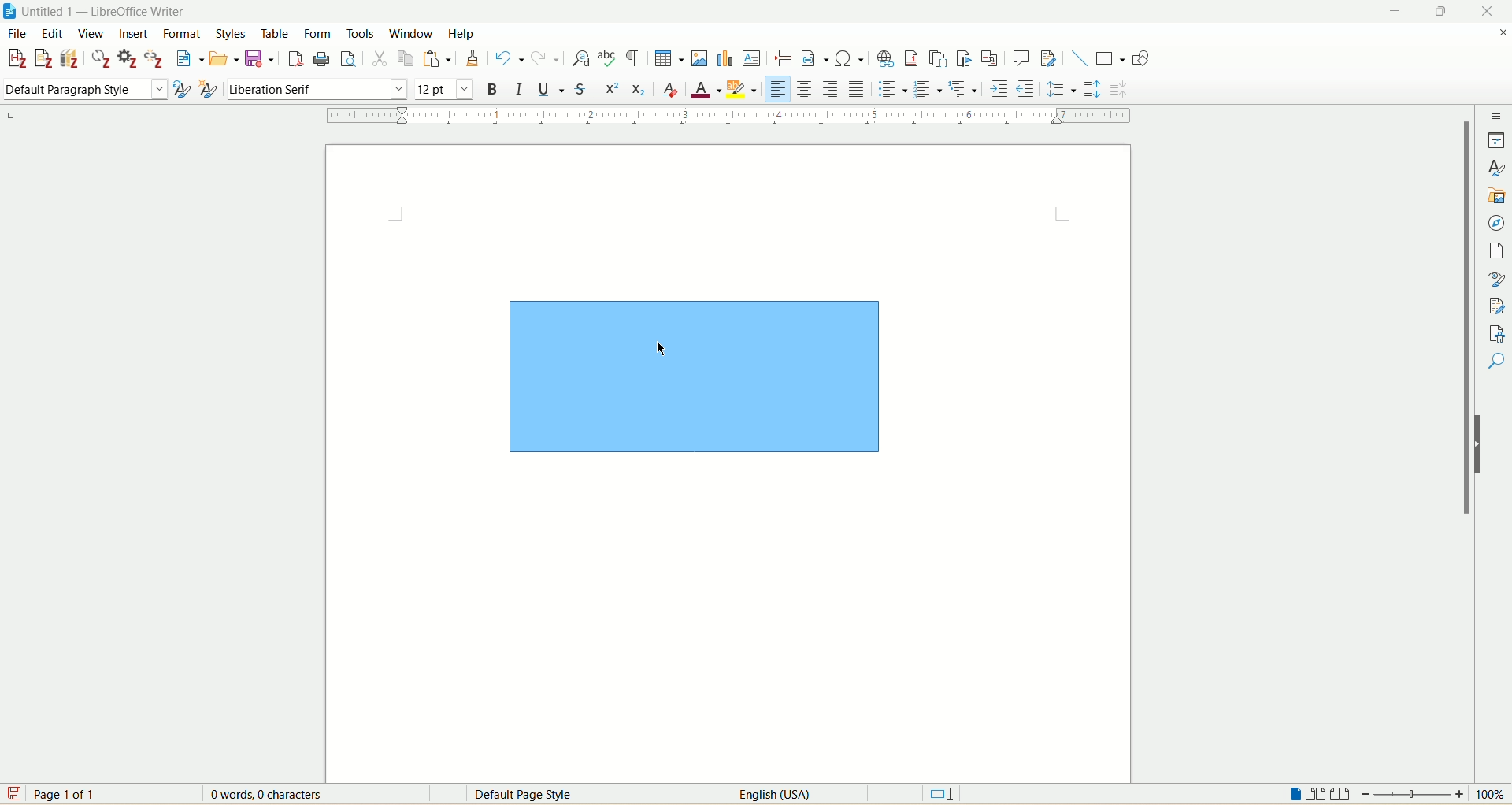 The height and width of the screenshot is (805, 1512). What do you see at coordinates (472, 58) in the screenshot?
I see `formatting` at bounding box center [472, 58].